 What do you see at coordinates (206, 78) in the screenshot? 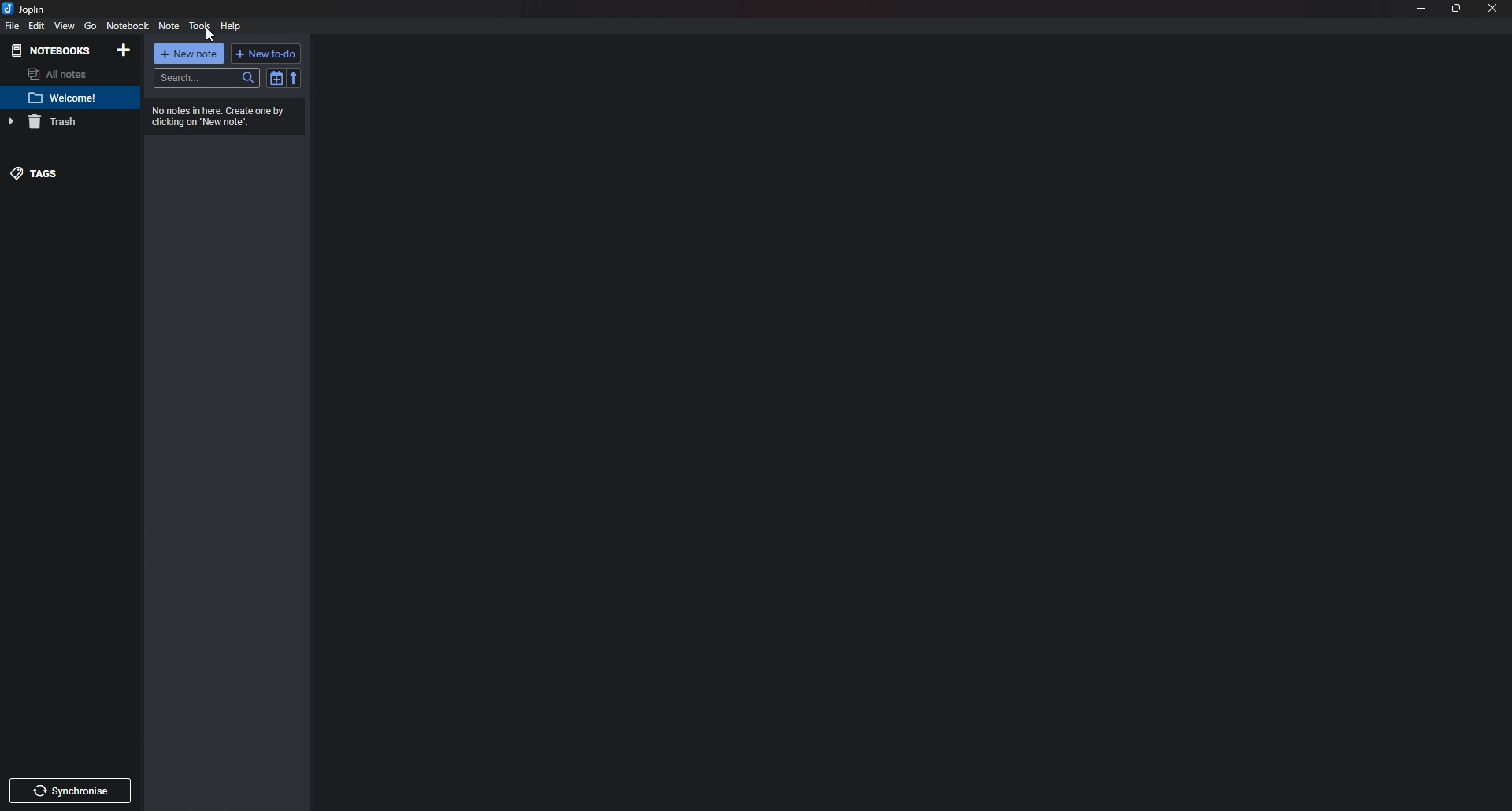
I see `Search` at bounding box center [206, 78].